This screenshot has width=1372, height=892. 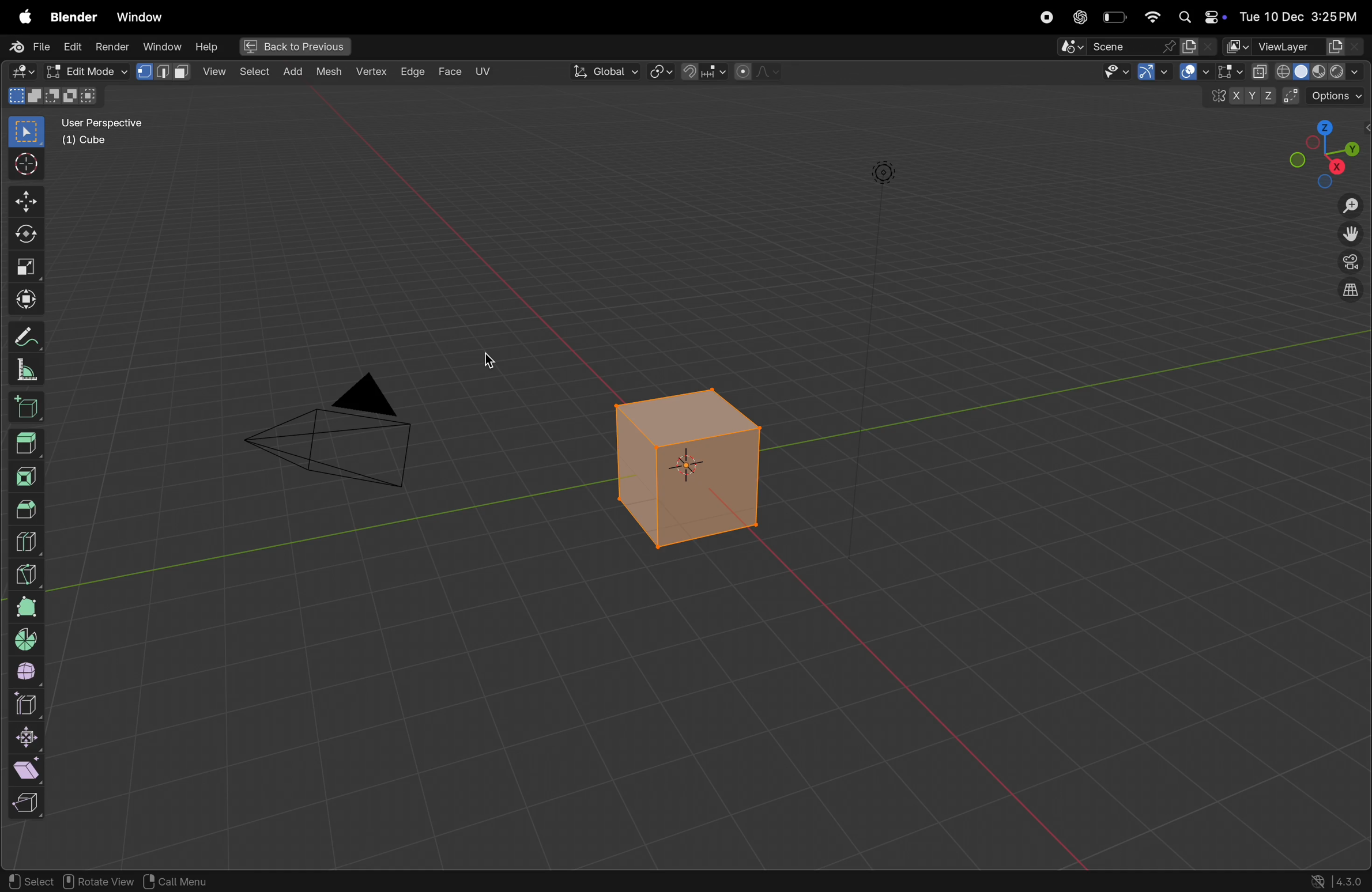 What do you see at coordinates (252, 73) in the screenshot?
I see `add` at bounding box center [252, 73].